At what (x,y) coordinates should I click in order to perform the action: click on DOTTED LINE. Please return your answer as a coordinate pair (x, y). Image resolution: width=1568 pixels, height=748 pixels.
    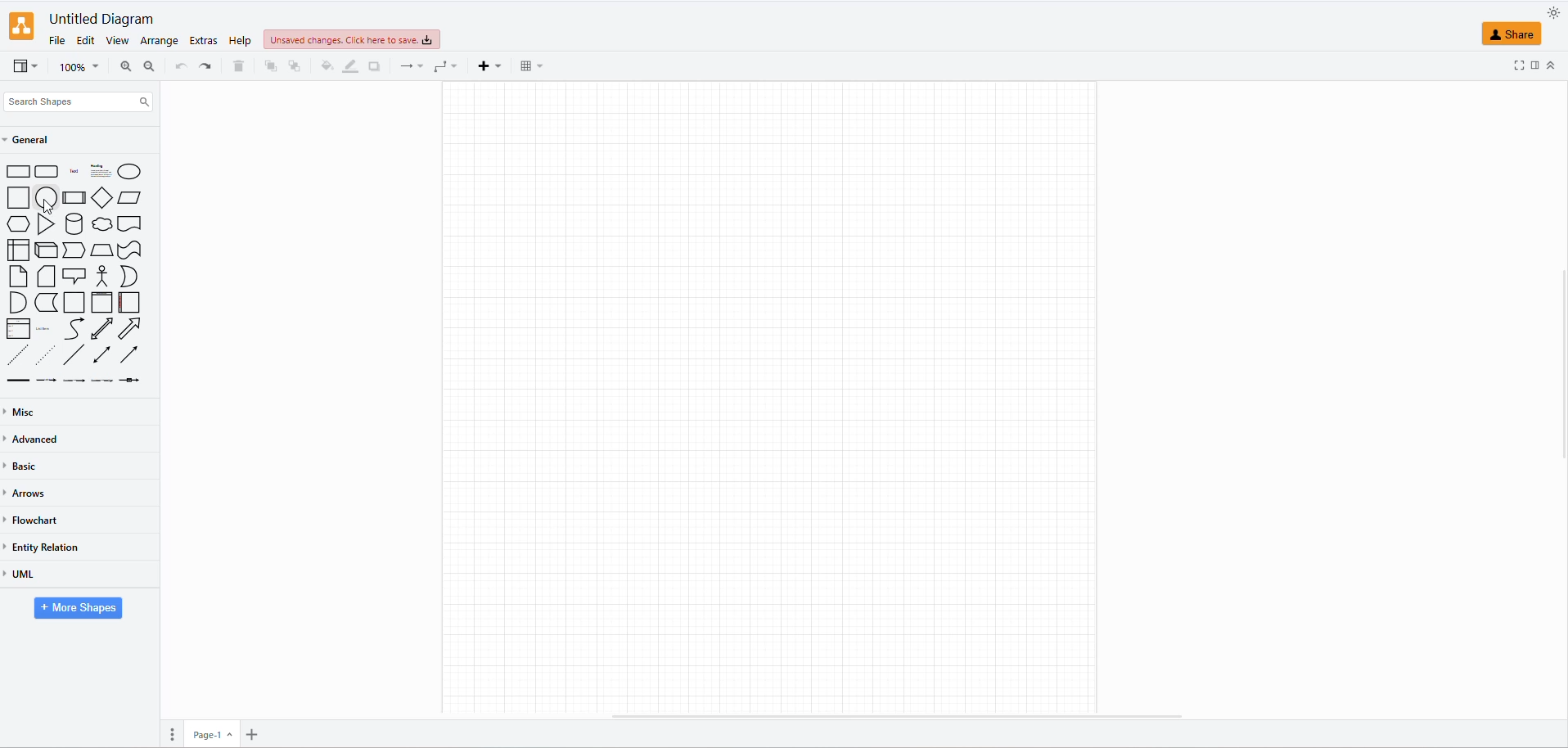
    Looking at the image, I should click on (42, 353).